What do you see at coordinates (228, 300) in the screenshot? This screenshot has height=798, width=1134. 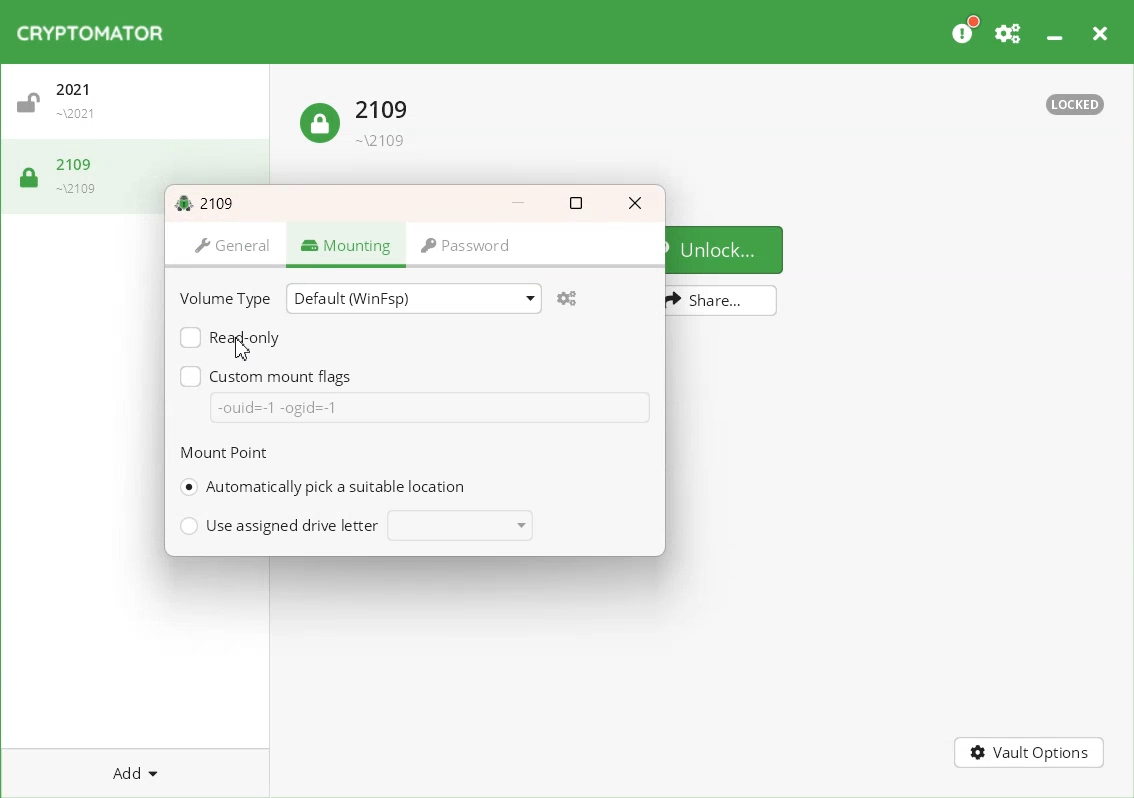 I see `Volume Type` at bounding box center [228, 300].